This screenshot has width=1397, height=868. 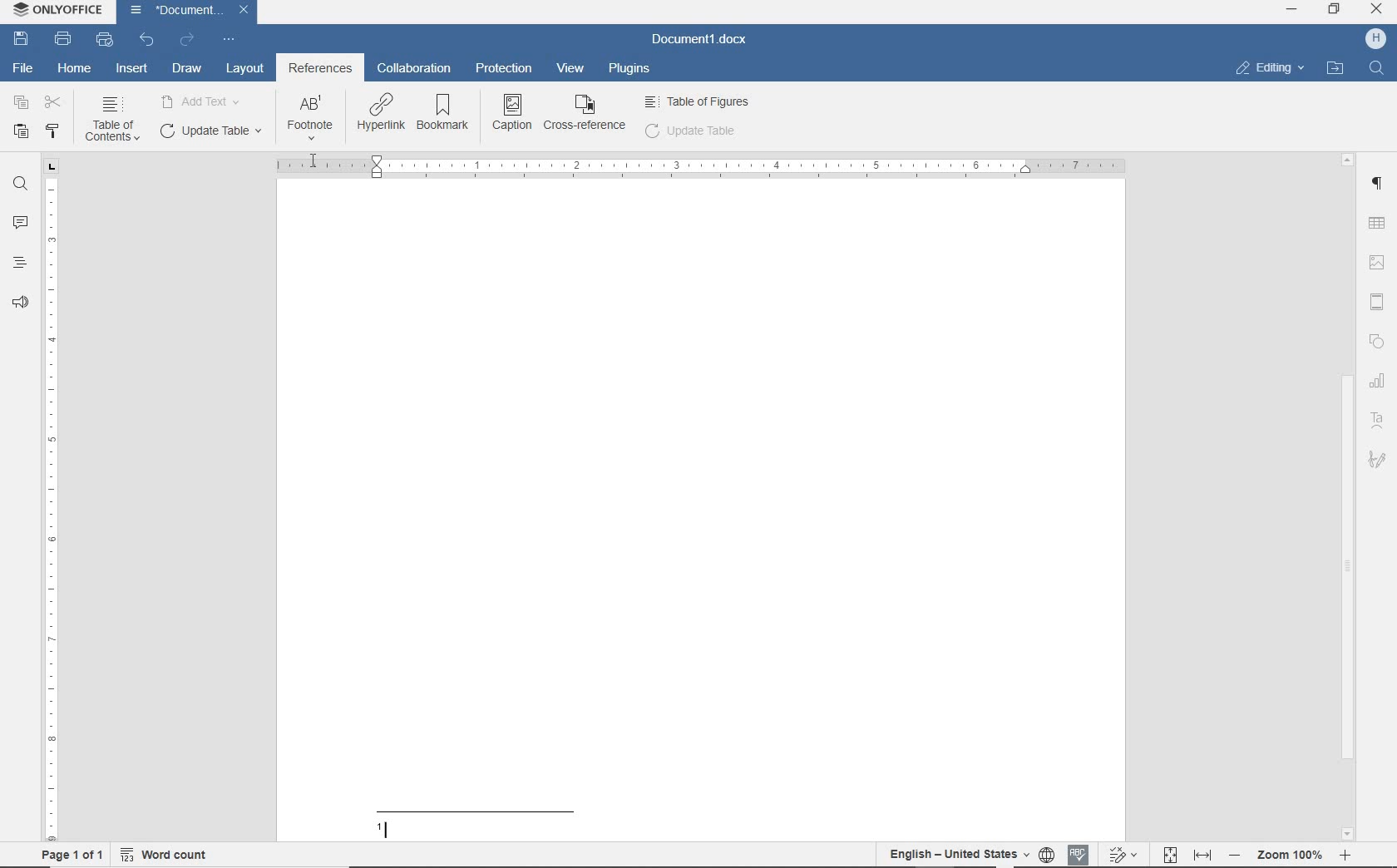 What do you see at coordinates (19, 262) in the screenshot?
I see `headings` at bounding box center [19, 262].